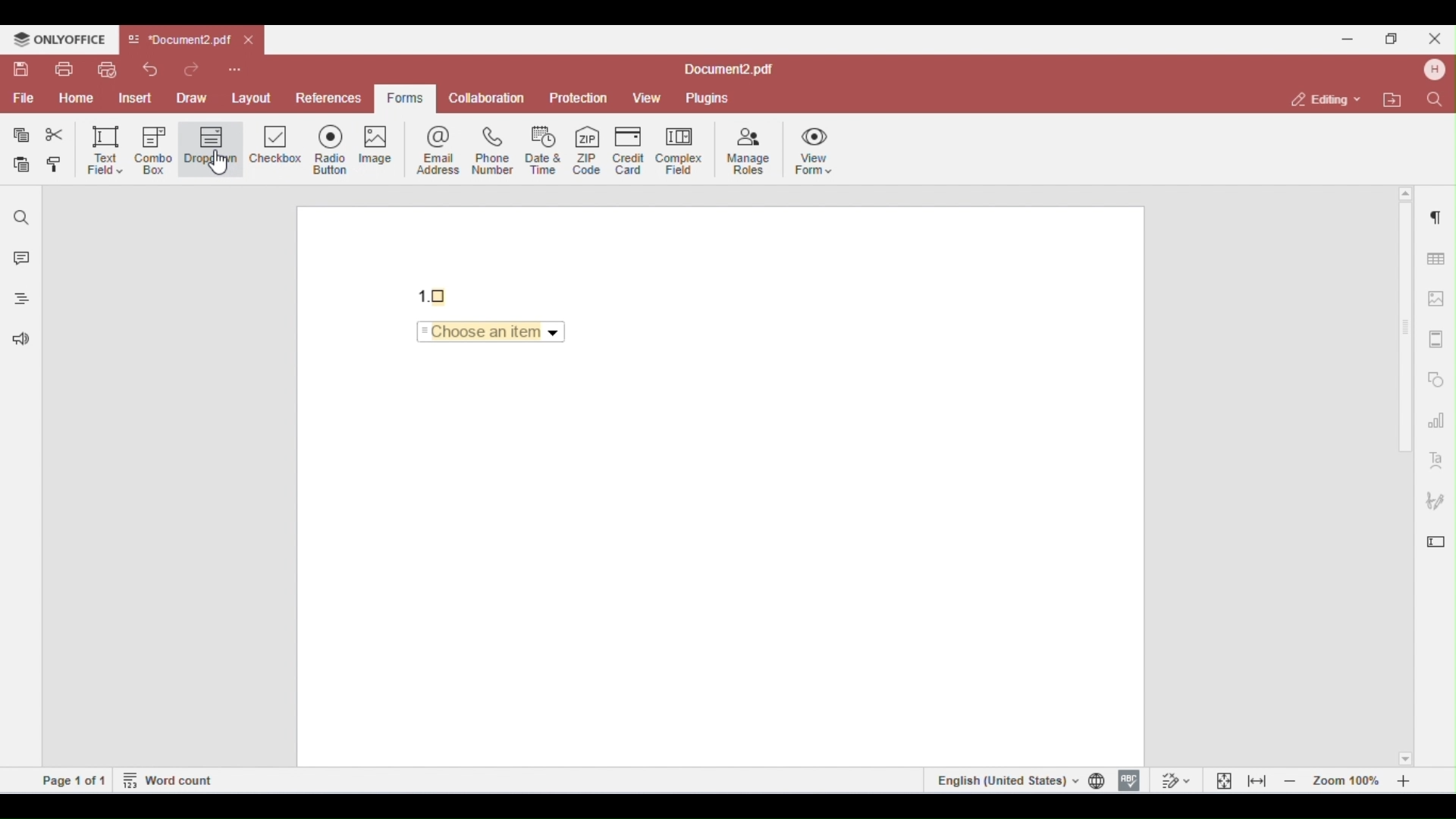  I want to click on tab name, so click(179, 40).